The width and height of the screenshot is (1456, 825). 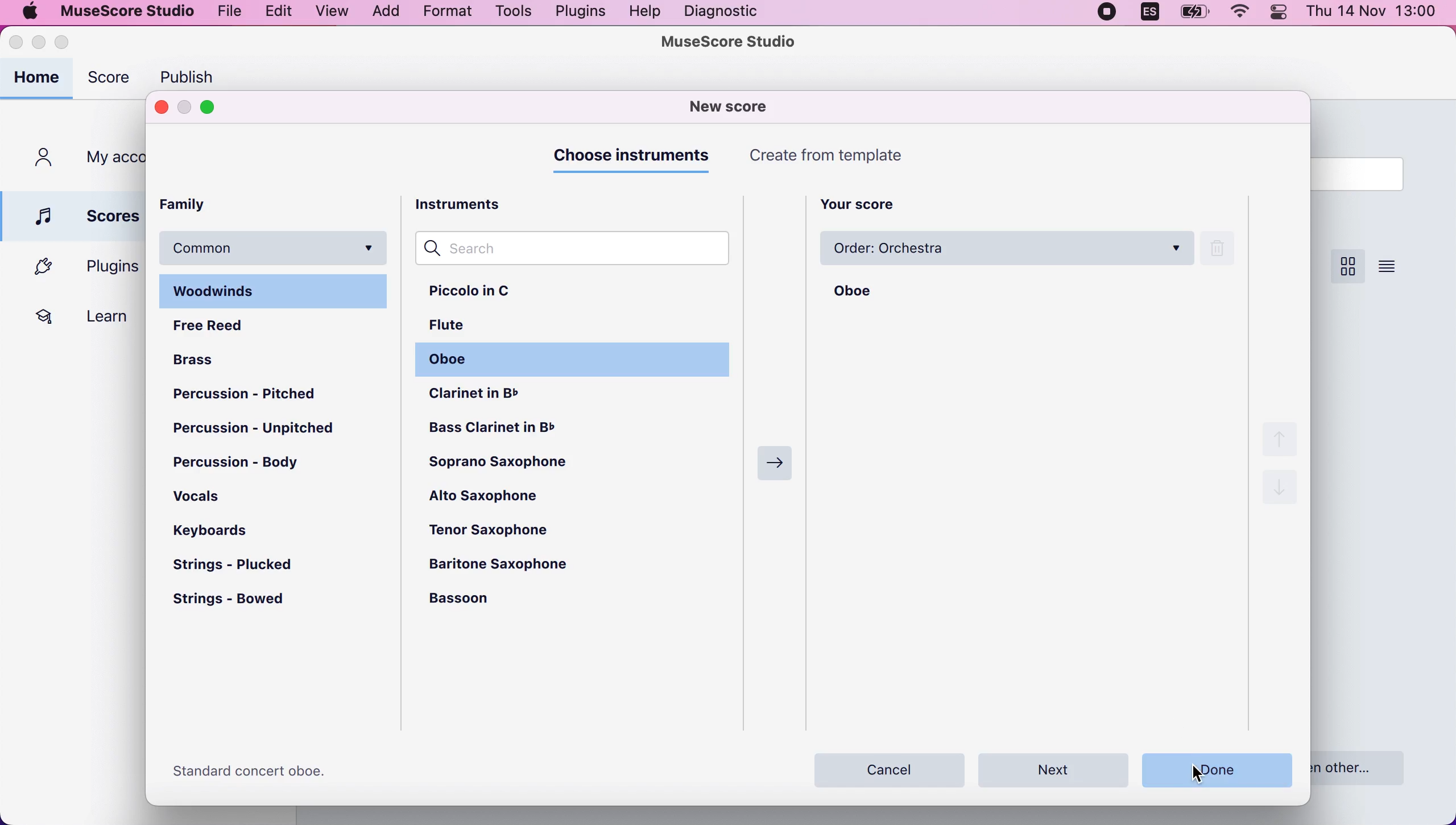 I want to click on strings-bowed, so click(x=237, y=603).